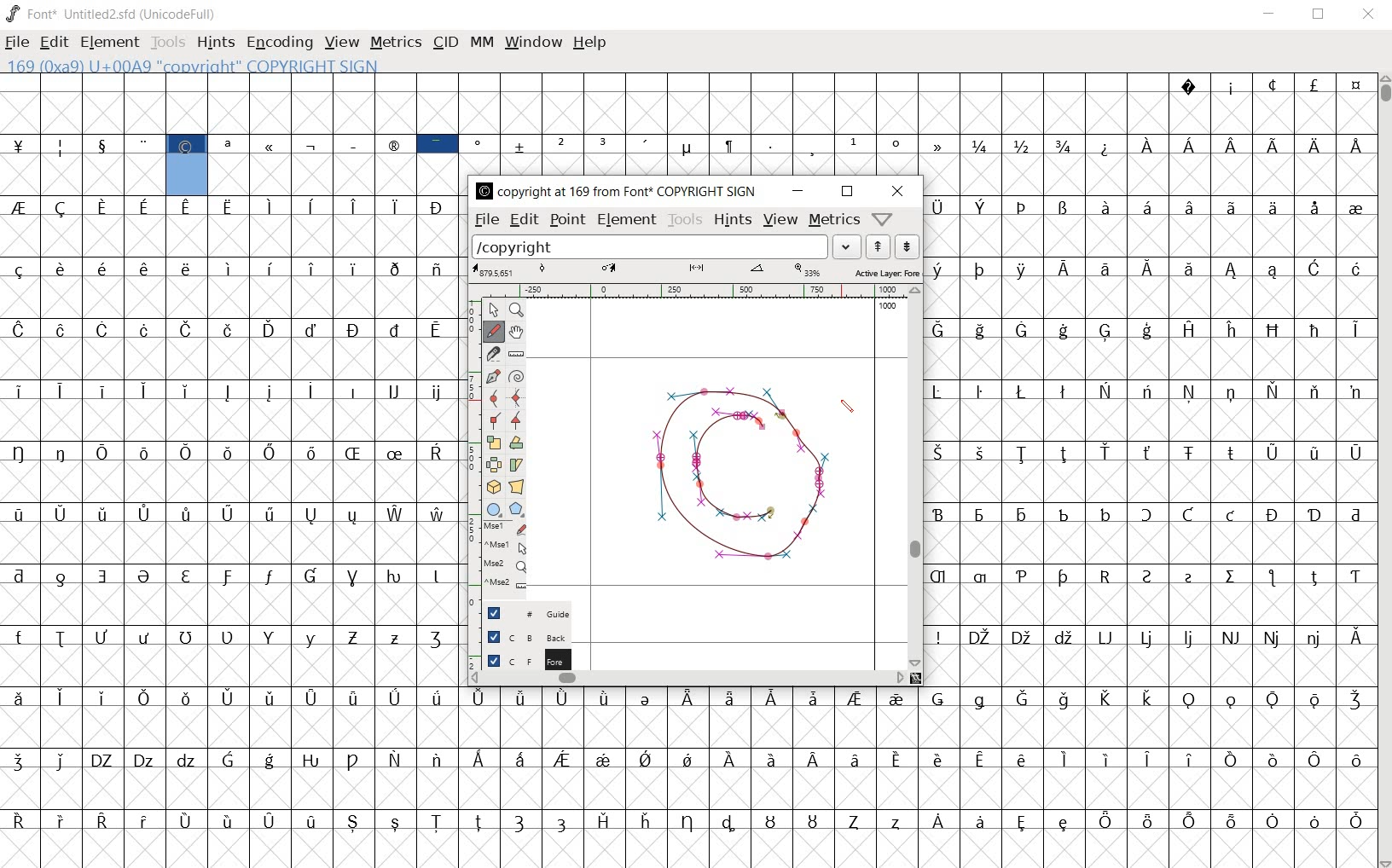 This screenshot has width=1392, height=868. Describe the element at coordinates (493, 375) in the screenshot. I see `add a point, then drag out its control points` at that location.